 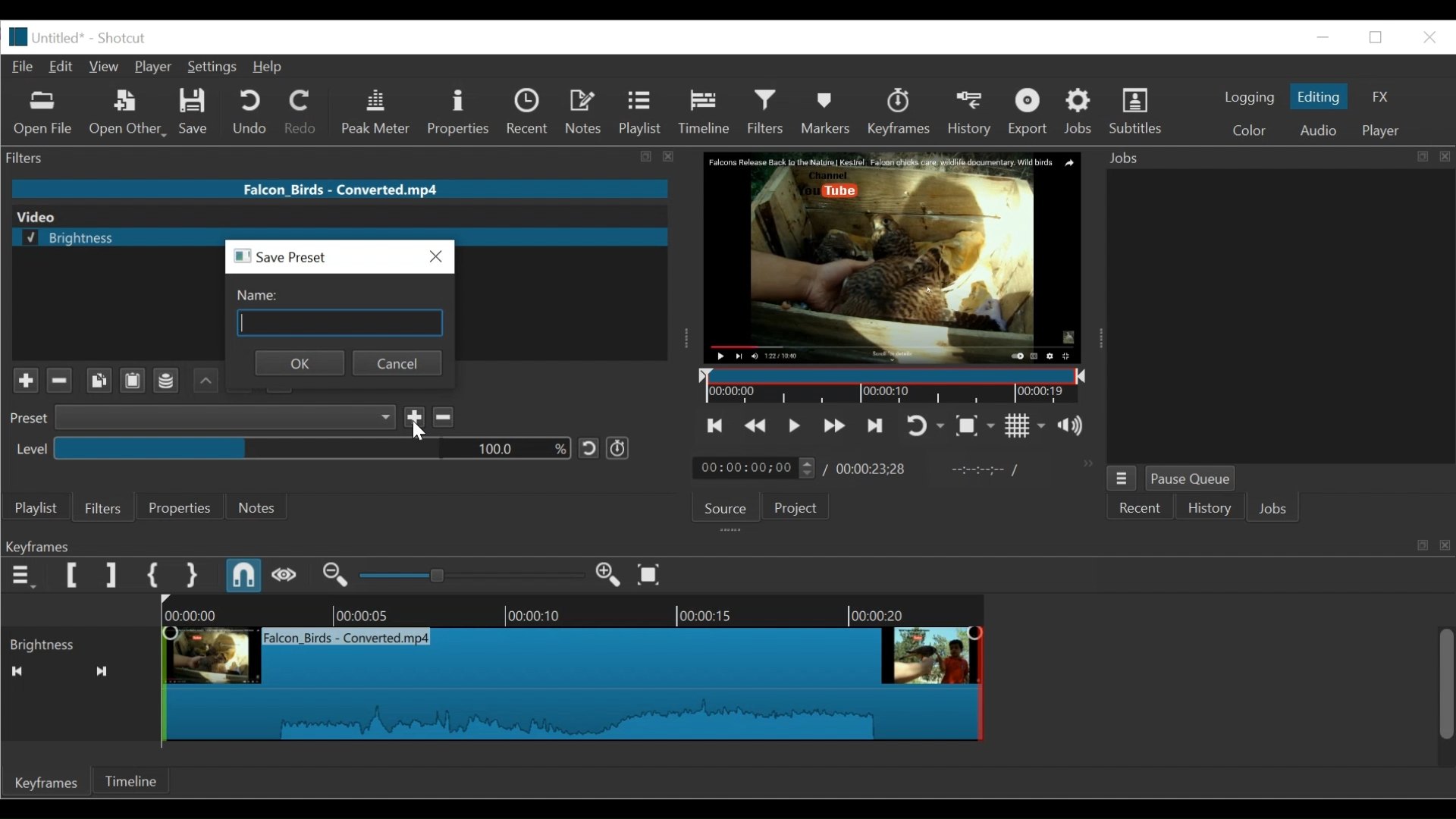 What do you see at coordinates (340, 189) in the screenshot?
I see `File name` at bounding box center [340, 189].